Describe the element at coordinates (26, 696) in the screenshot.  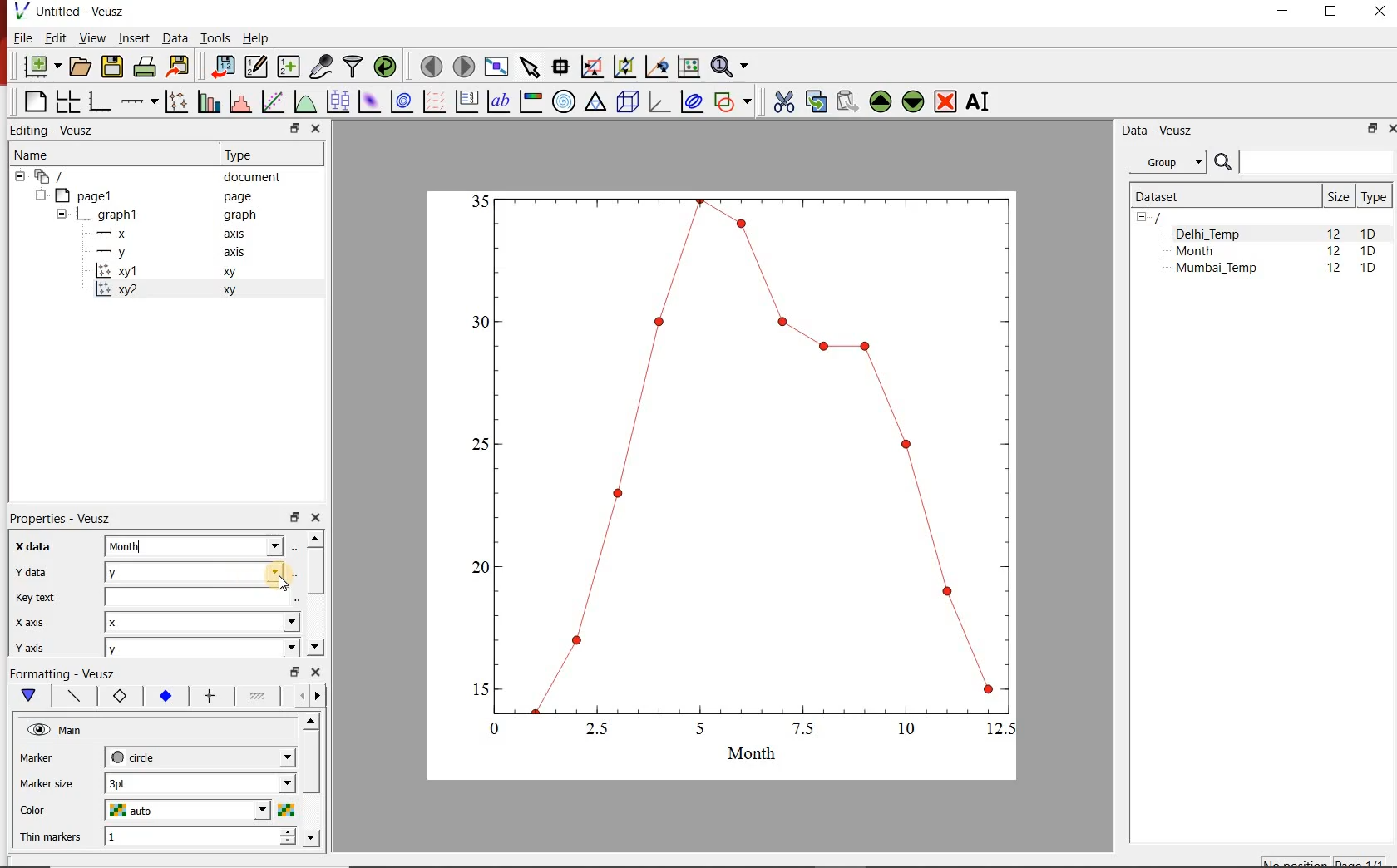
I see `Main formatting` at that location.